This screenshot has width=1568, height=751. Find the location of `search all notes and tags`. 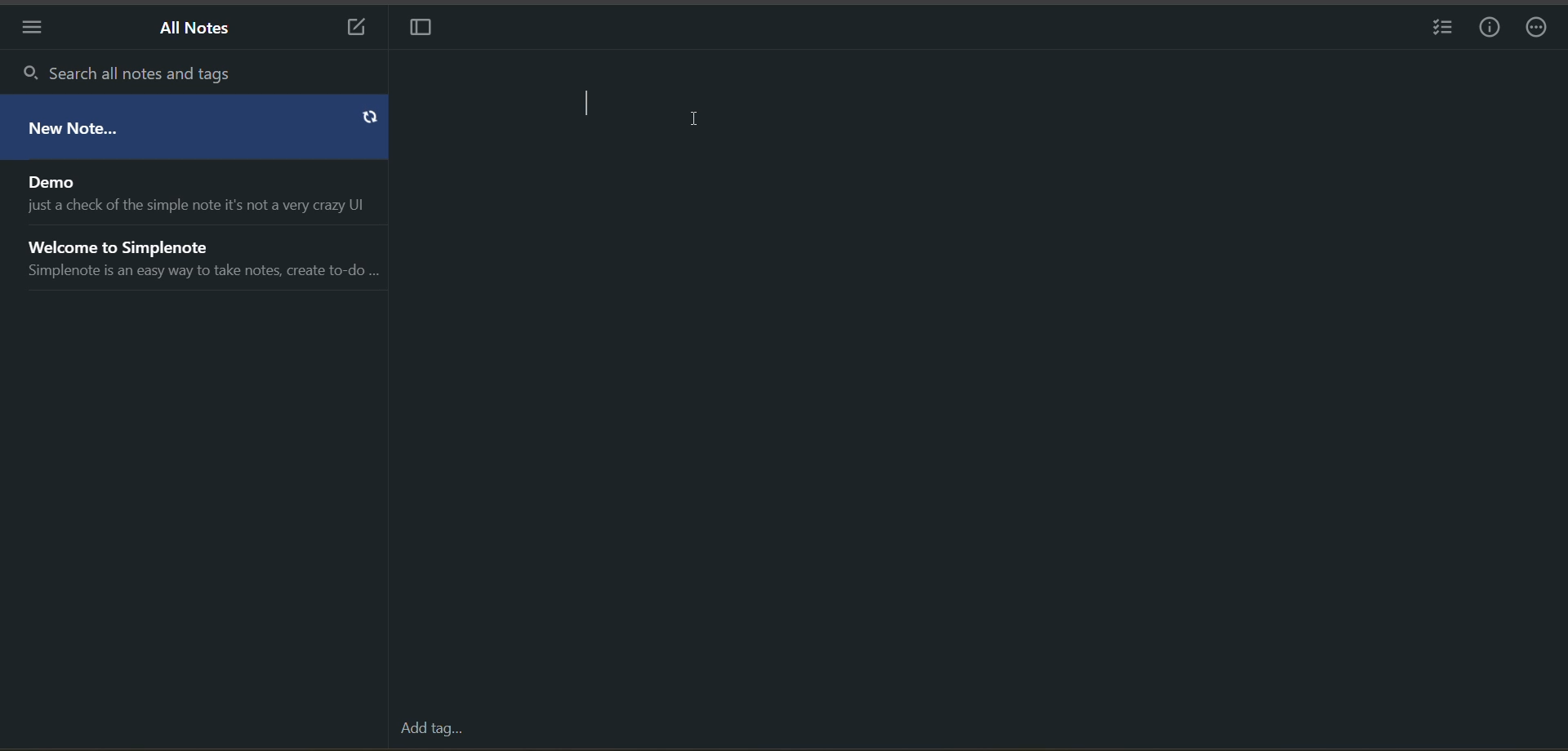

search all notes and tags is located at coordinates (201, 74).